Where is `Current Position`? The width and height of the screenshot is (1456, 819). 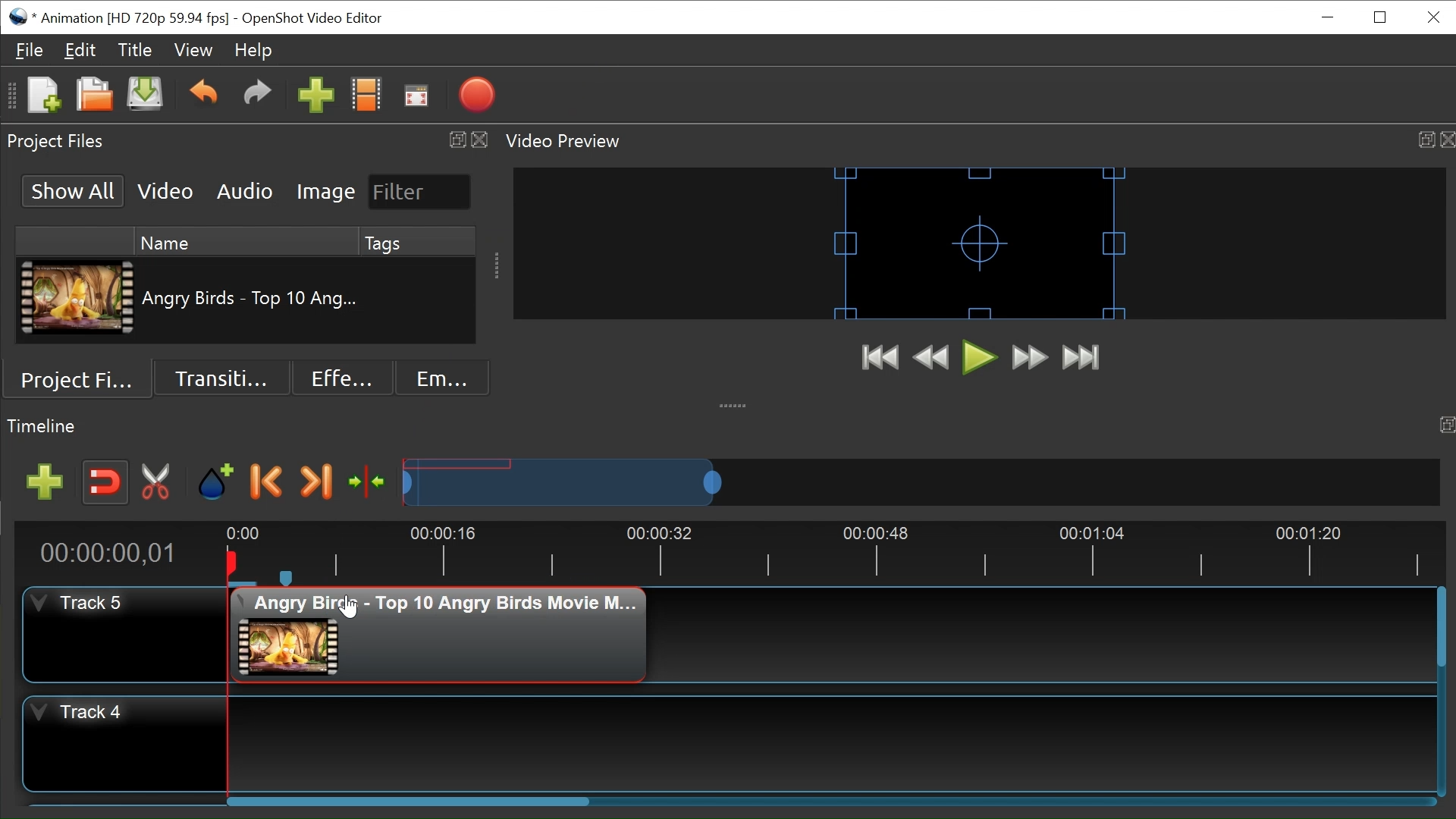 Current Position is located at coordinates (107, 554).